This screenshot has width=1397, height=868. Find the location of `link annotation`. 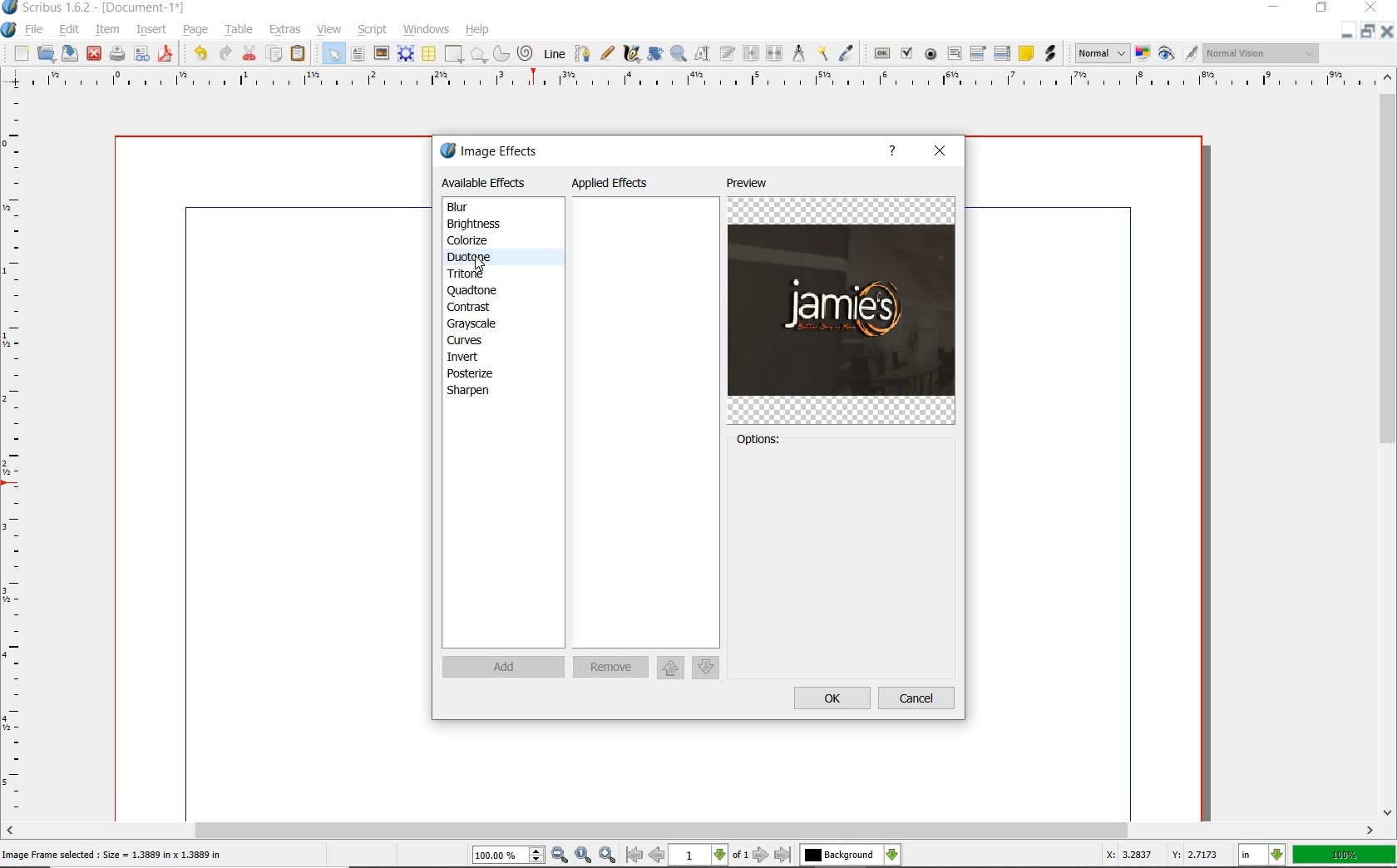

link annotation is located at coordinates (1050, 52).